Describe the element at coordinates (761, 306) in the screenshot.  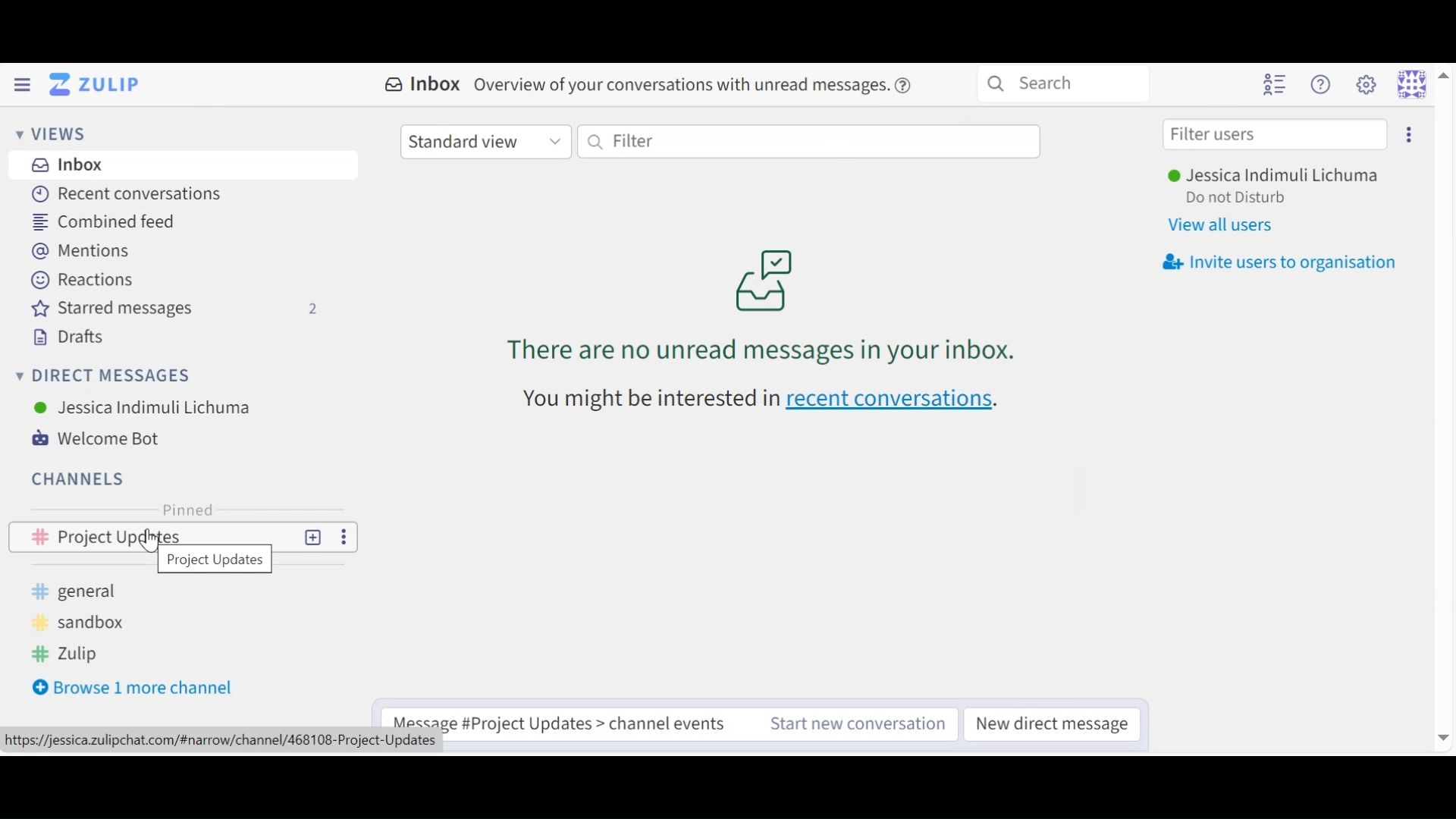
I see `unread conversations` at that location.